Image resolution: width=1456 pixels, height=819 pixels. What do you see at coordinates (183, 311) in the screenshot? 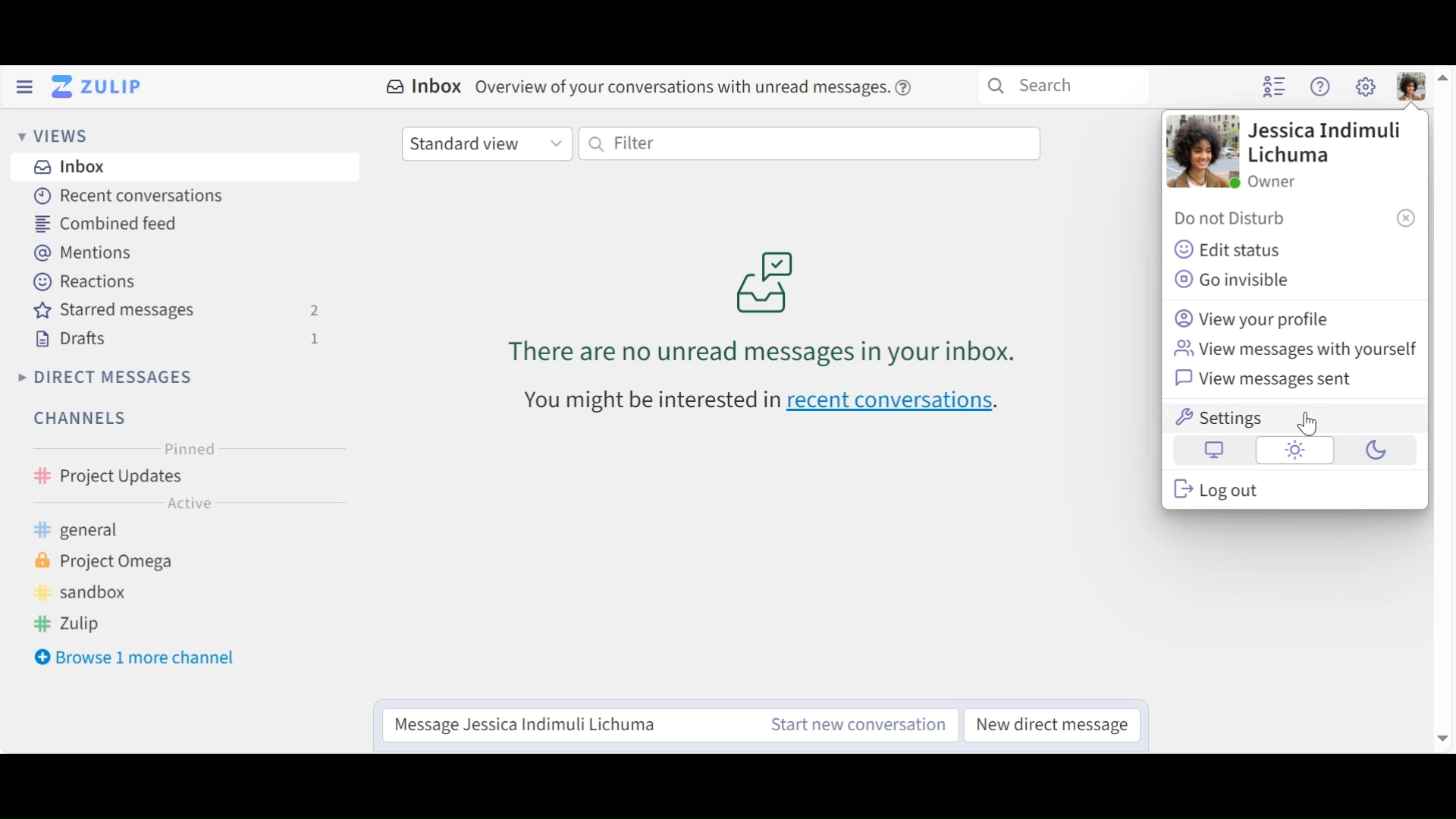
I see `Starred messages` at bounding box center [183, 311].